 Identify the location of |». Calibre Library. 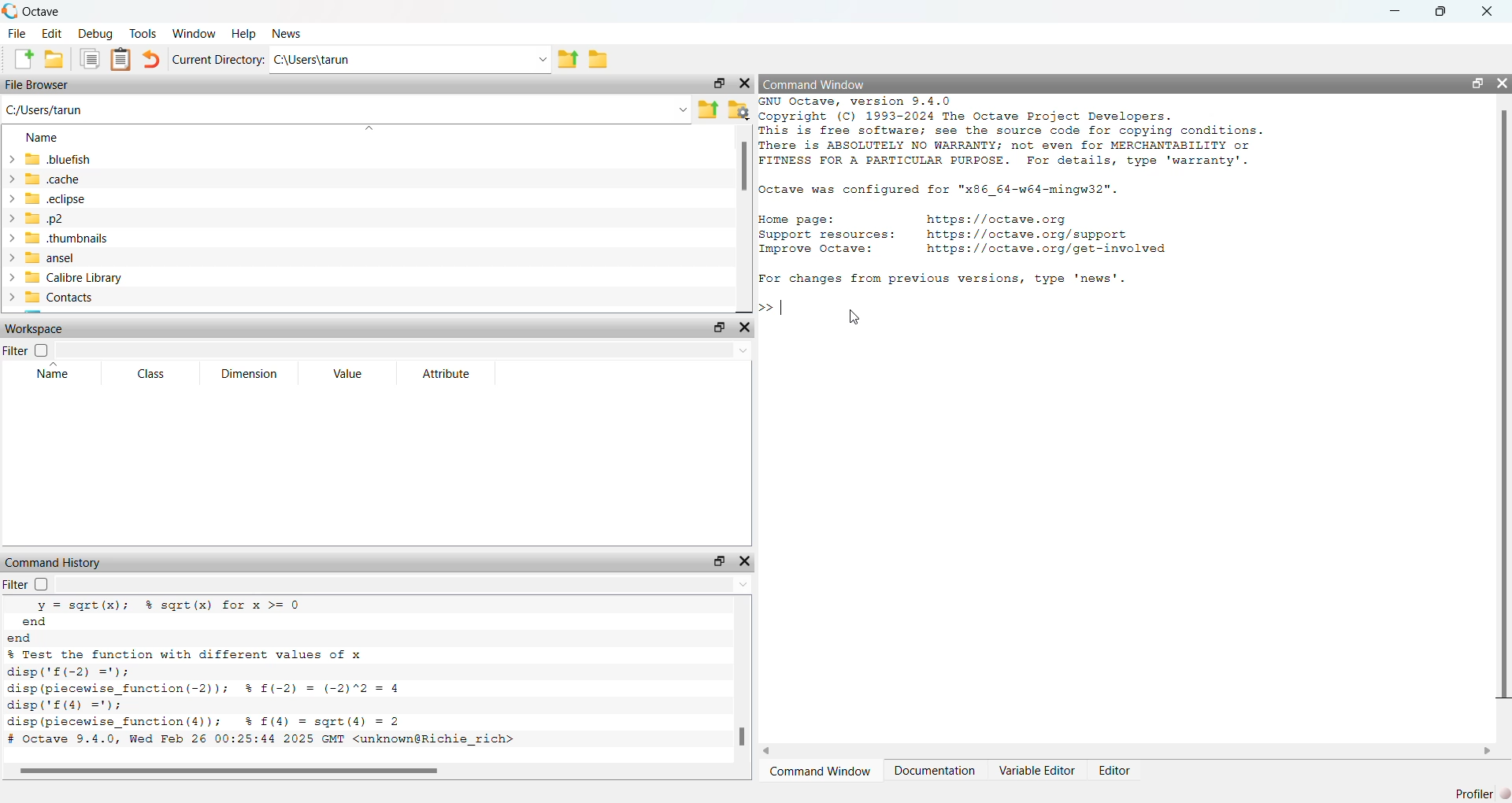
(67, 278).